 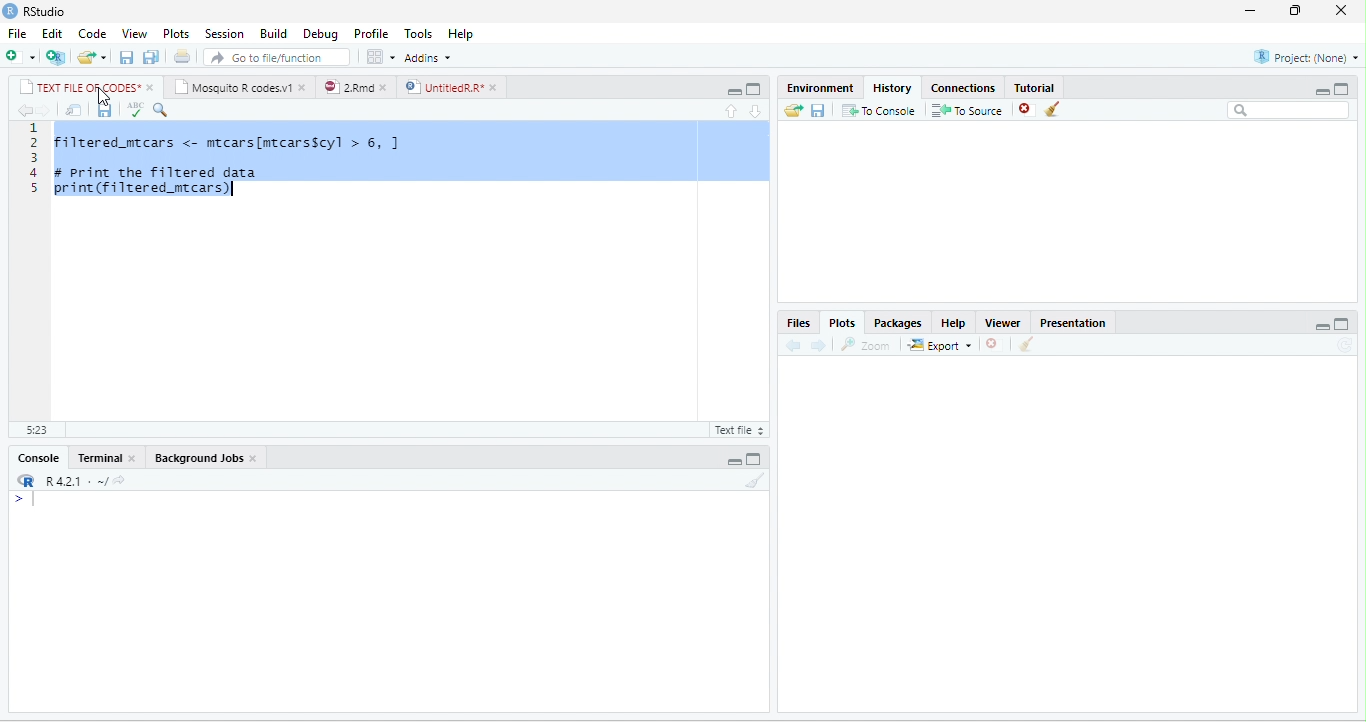 I want to click on View, so click(x=135, y=33).